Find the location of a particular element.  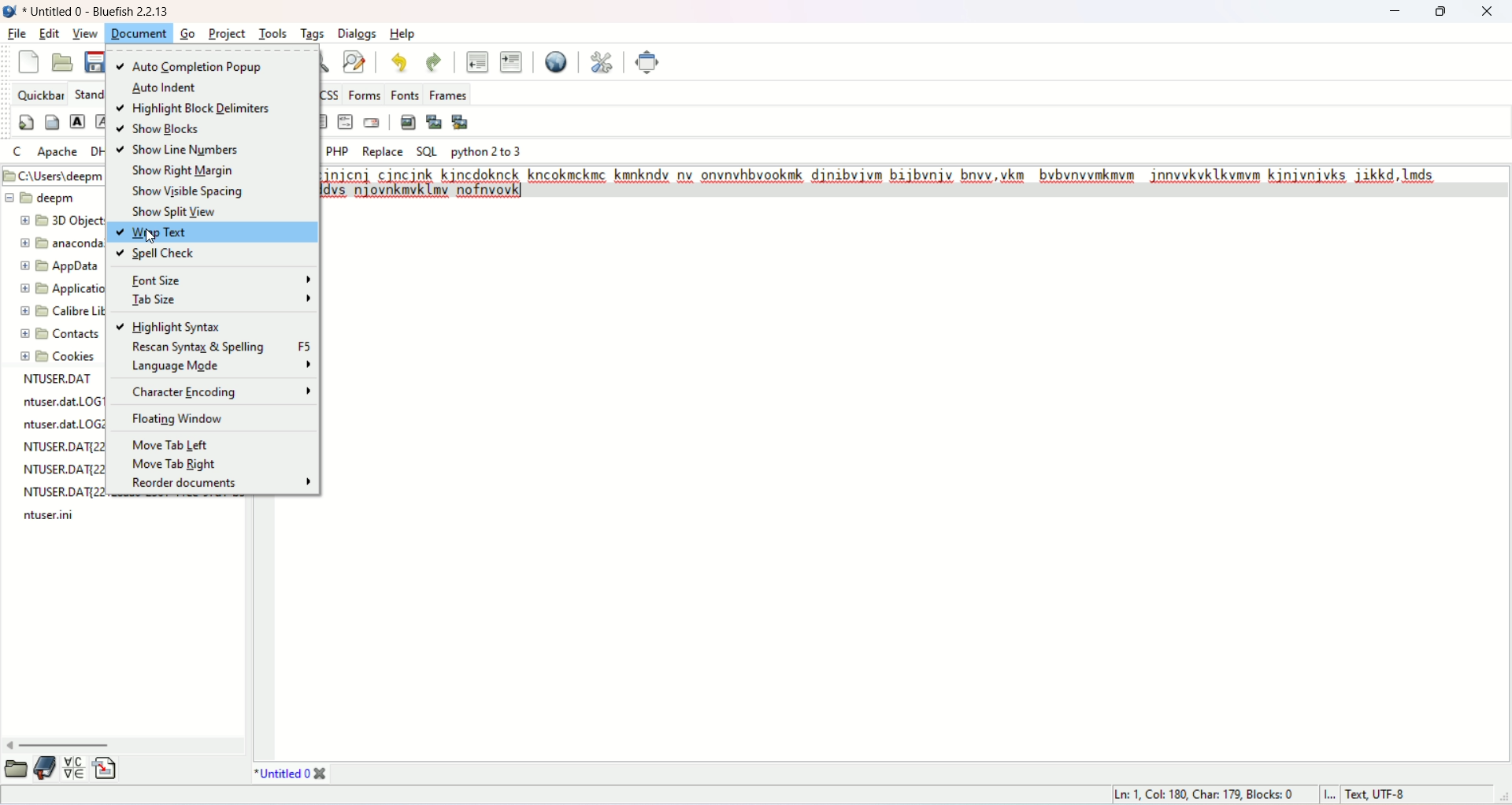

redo is located at coordinates (431, 63).